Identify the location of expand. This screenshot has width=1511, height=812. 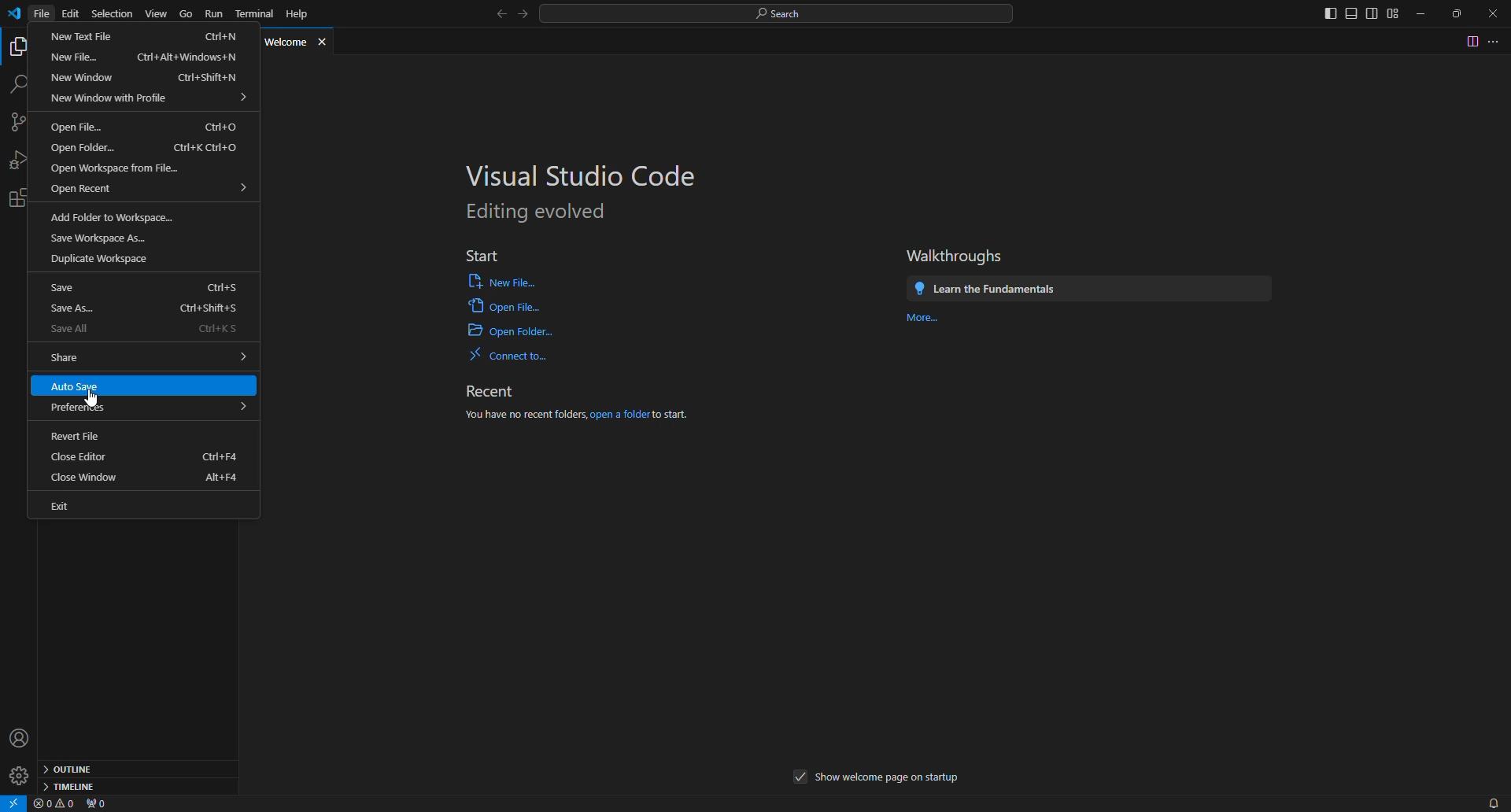
(243, 407).